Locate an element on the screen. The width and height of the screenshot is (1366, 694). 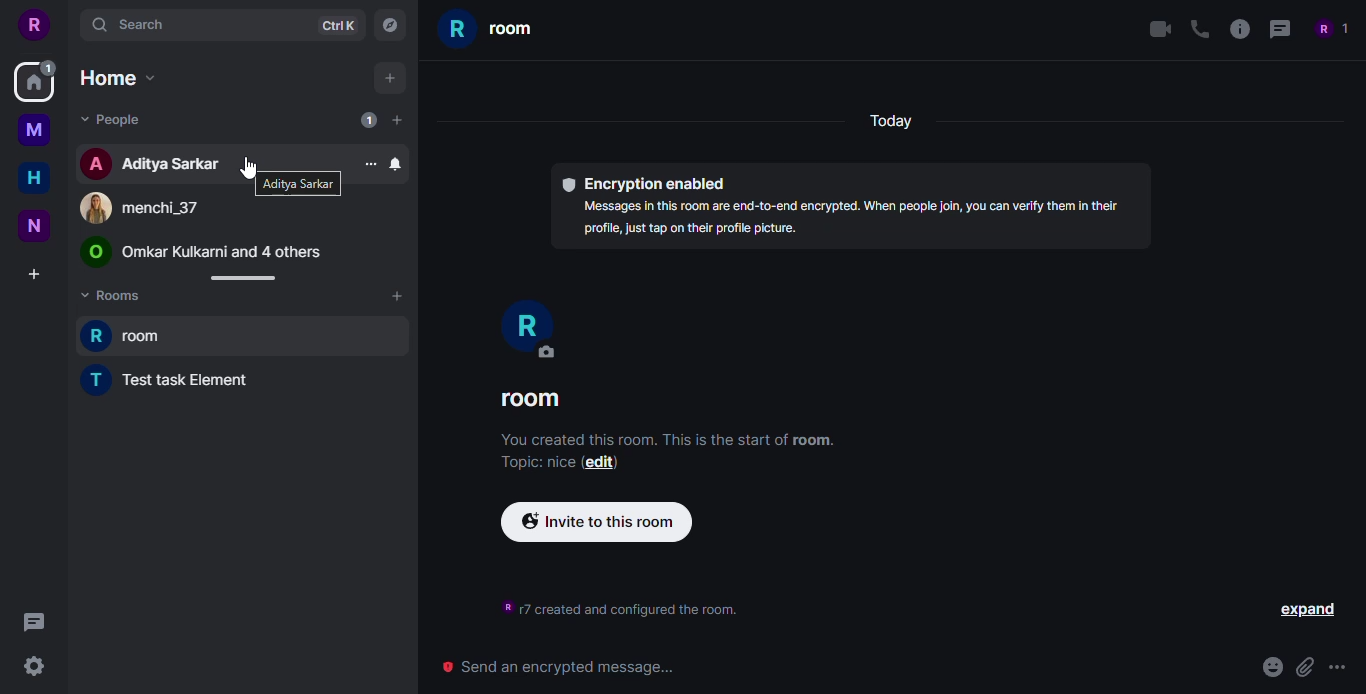
room is located at coordinates (491, 32).